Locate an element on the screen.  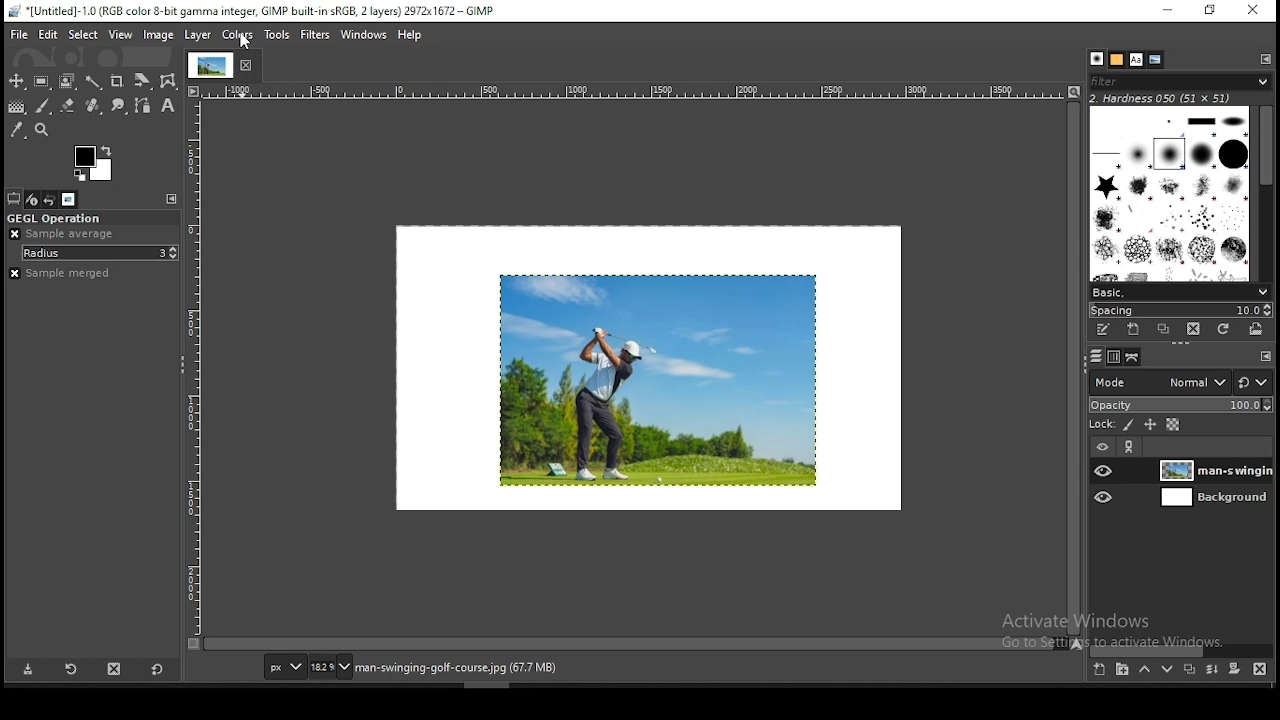
paths is located at coordinates (1136, 358).